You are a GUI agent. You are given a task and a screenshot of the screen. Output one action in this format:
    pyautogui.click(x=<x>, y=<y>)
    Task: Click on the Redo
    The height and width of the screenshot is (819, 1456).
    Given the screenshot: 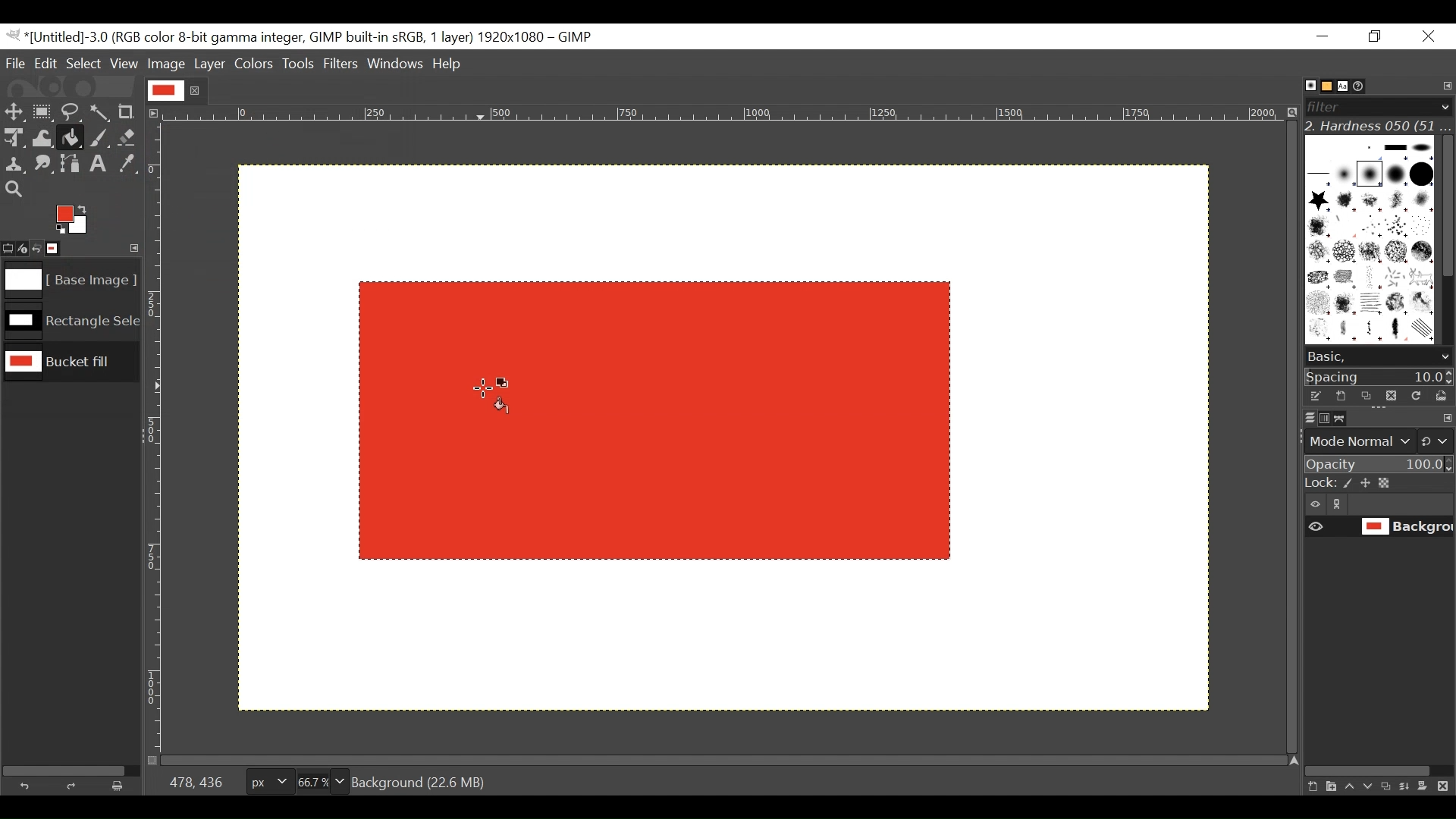 What is the action you would take?
    pyautogui.click(x=74, y=786)
    